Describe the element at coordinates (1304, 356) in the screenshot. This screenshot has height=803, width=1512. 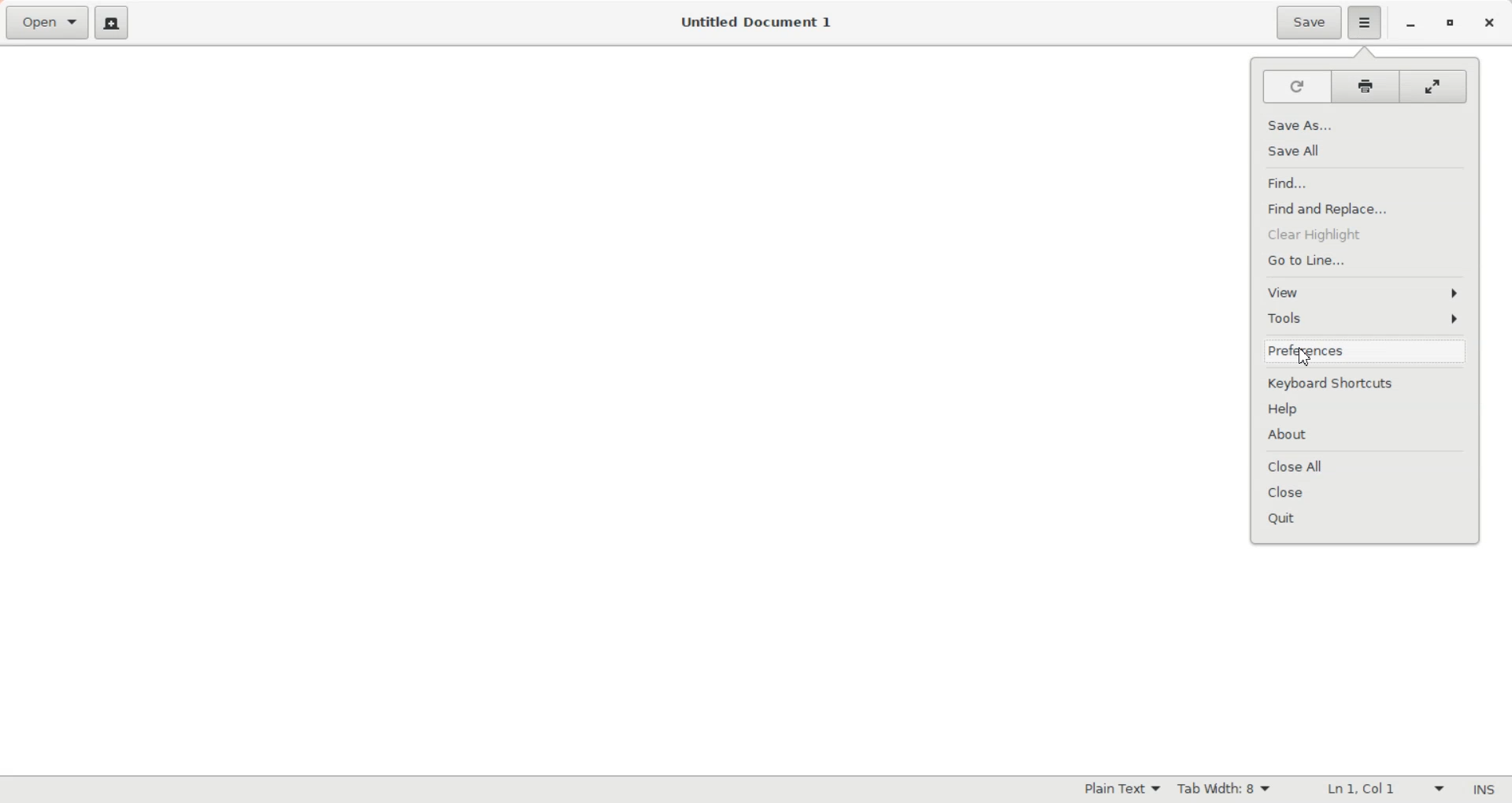
I see `Cursor` at that location.